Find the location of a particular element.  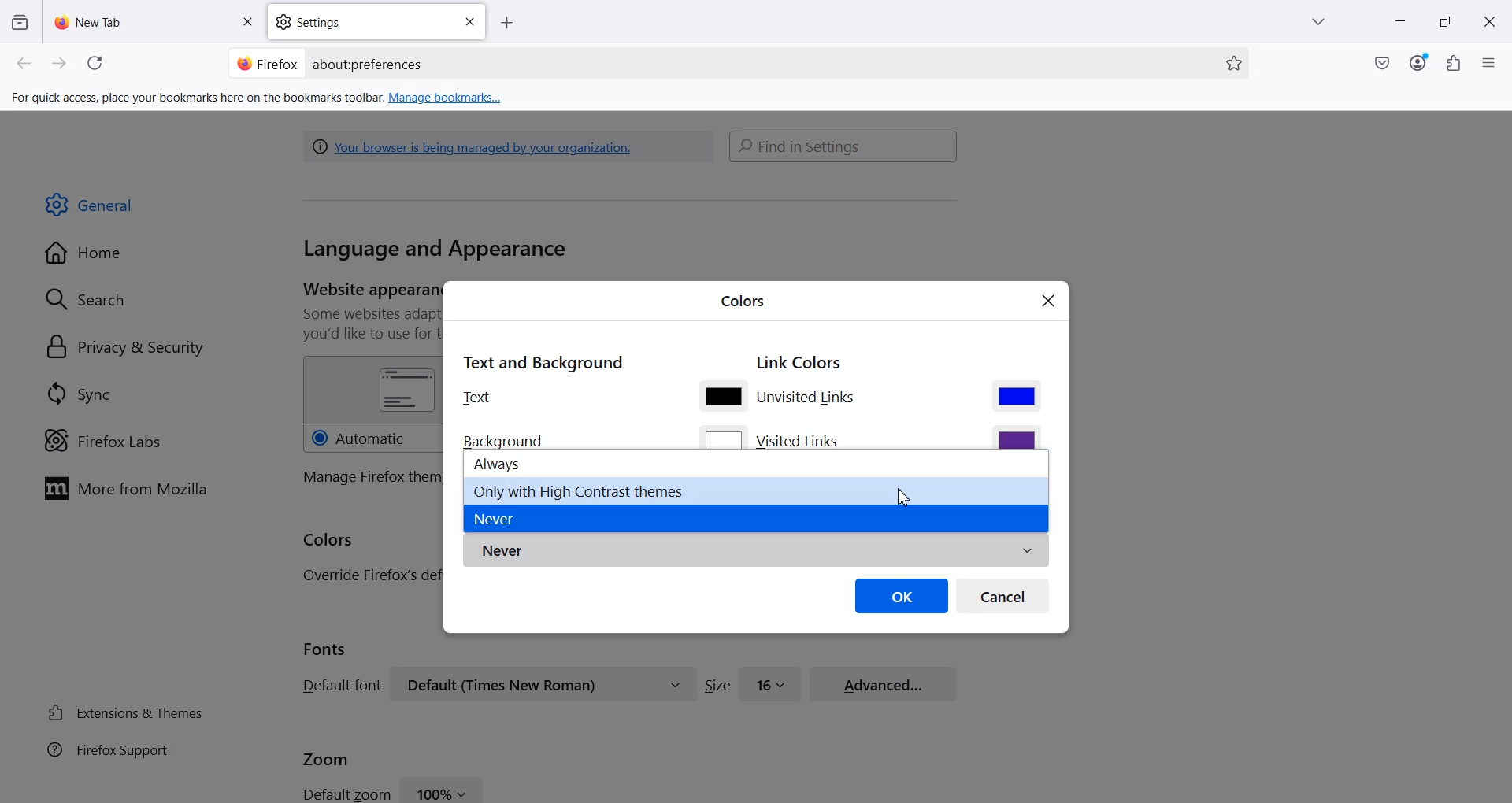

Cancel is located at coordinates (1003, 595).